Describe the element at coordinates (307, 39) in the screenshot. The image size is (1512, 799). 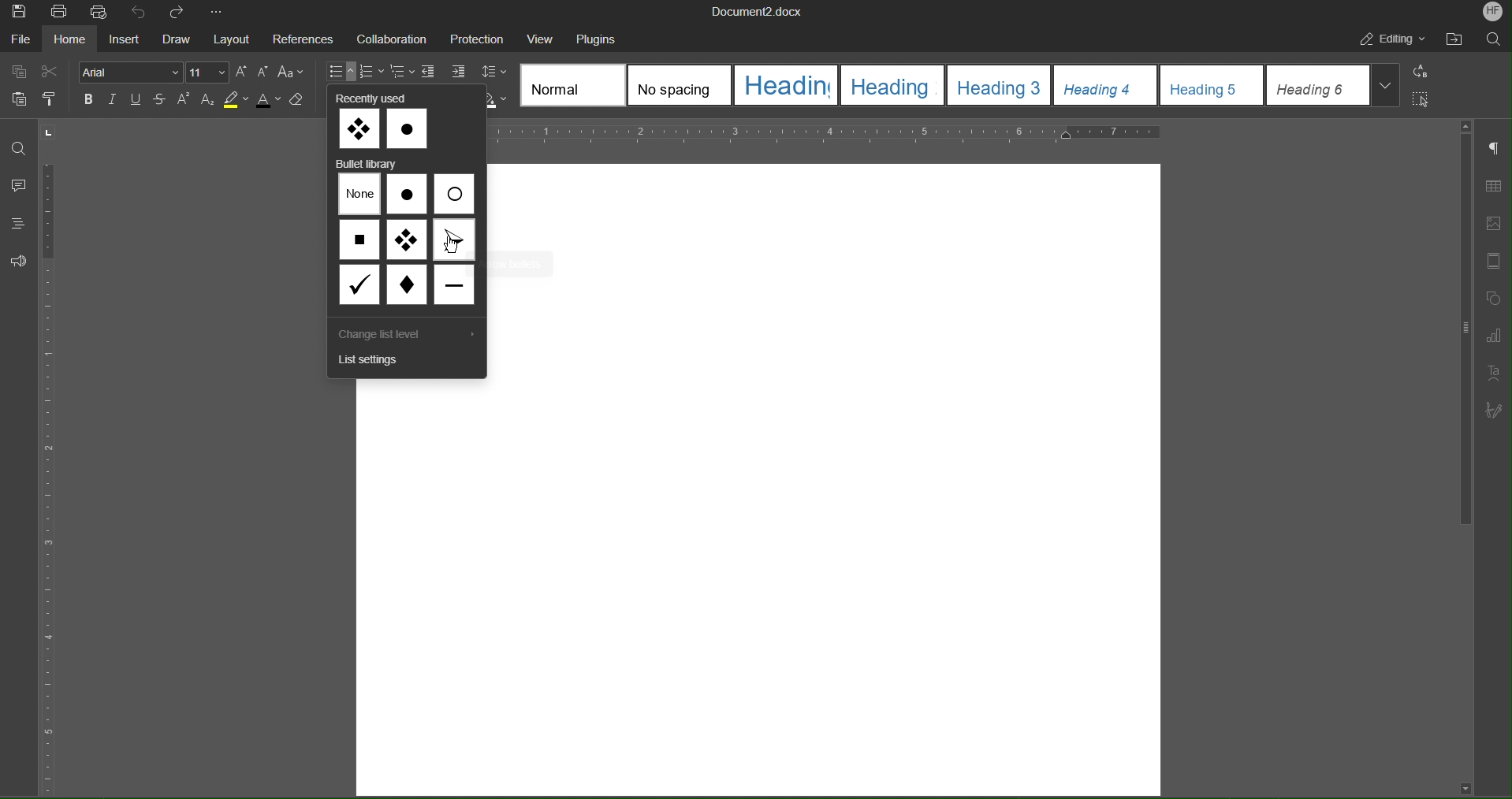
I see `References` at that location.